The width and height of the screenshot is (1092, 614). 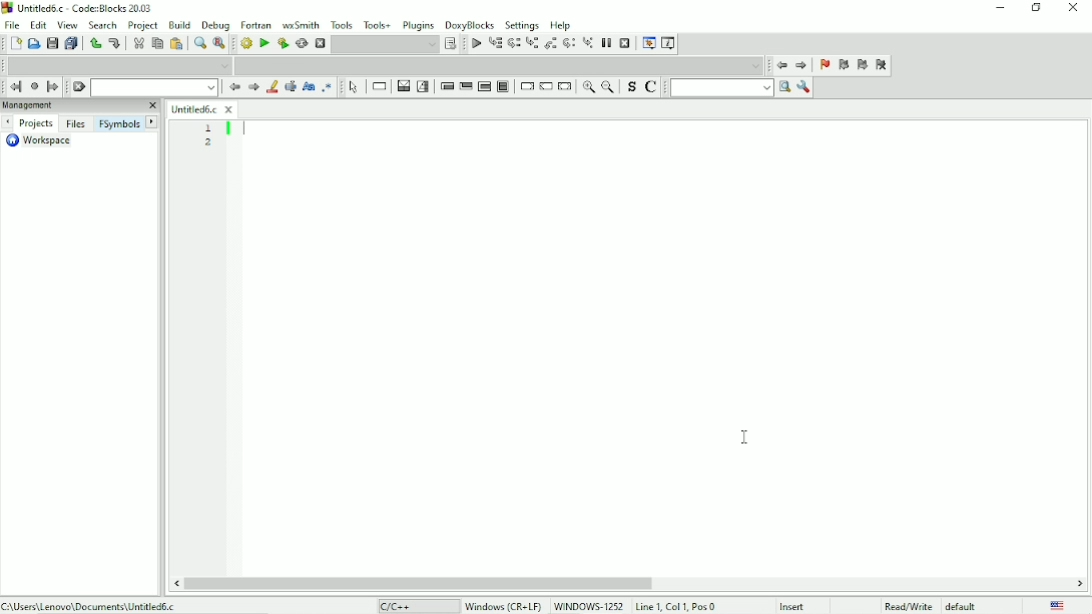 I want to click on File, so click(x=14, y=25).